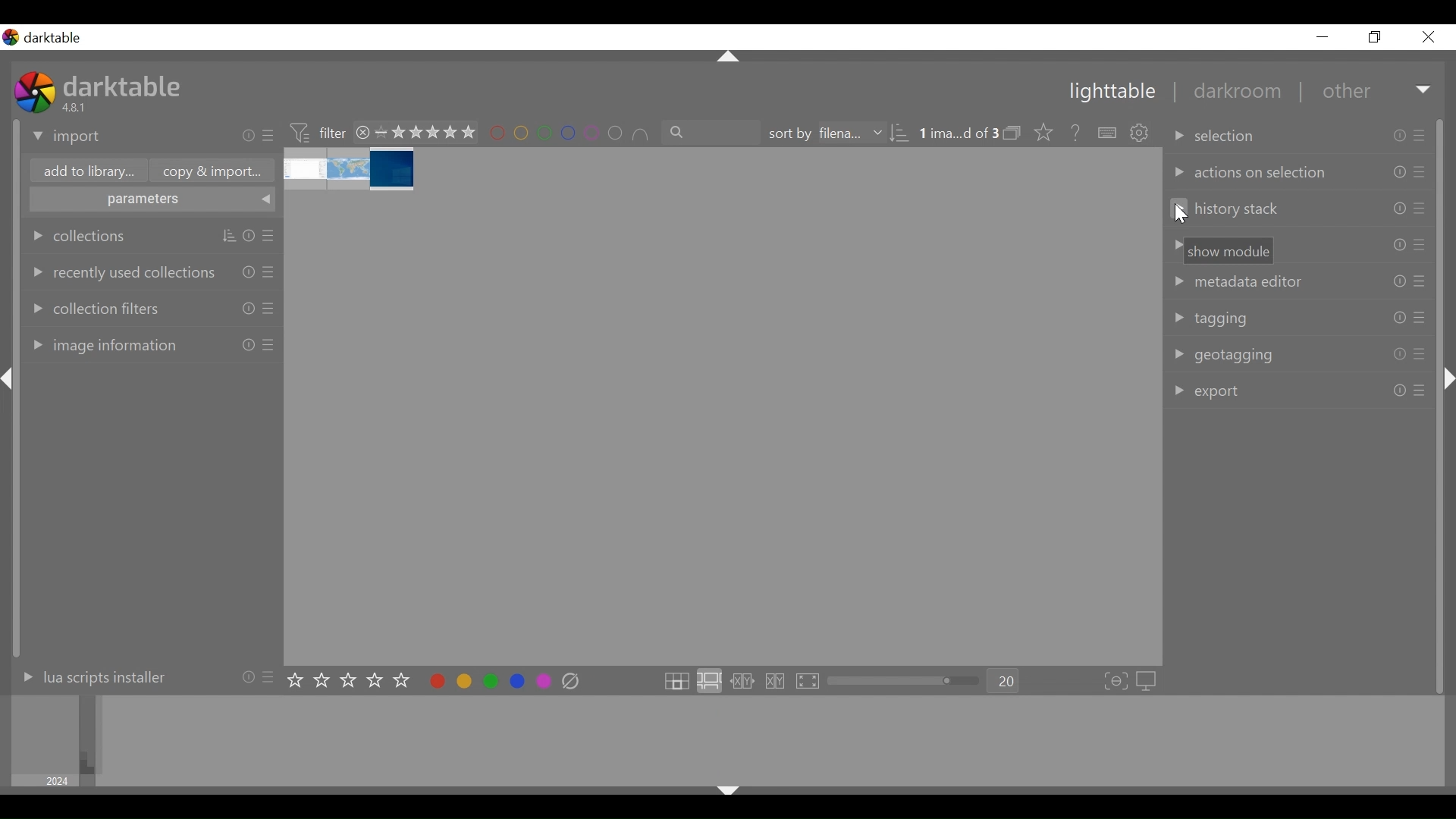 The width and height of the screenshot is (1456, 819). What do you see at coordinates (249, 136) in the screenshot?
I see `info` at bounding box center [249, 136].